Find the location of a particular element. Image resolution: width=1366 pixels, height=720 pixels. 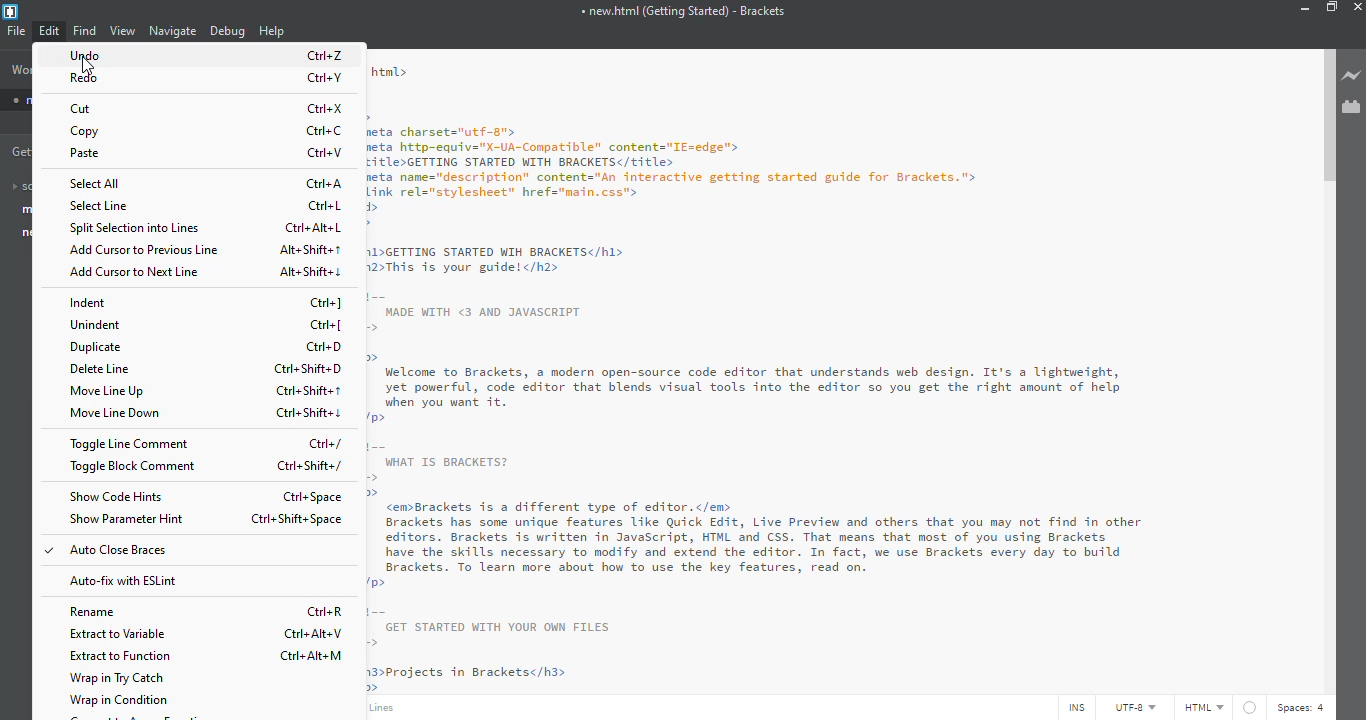

undo is located at coordinates (91, 56).